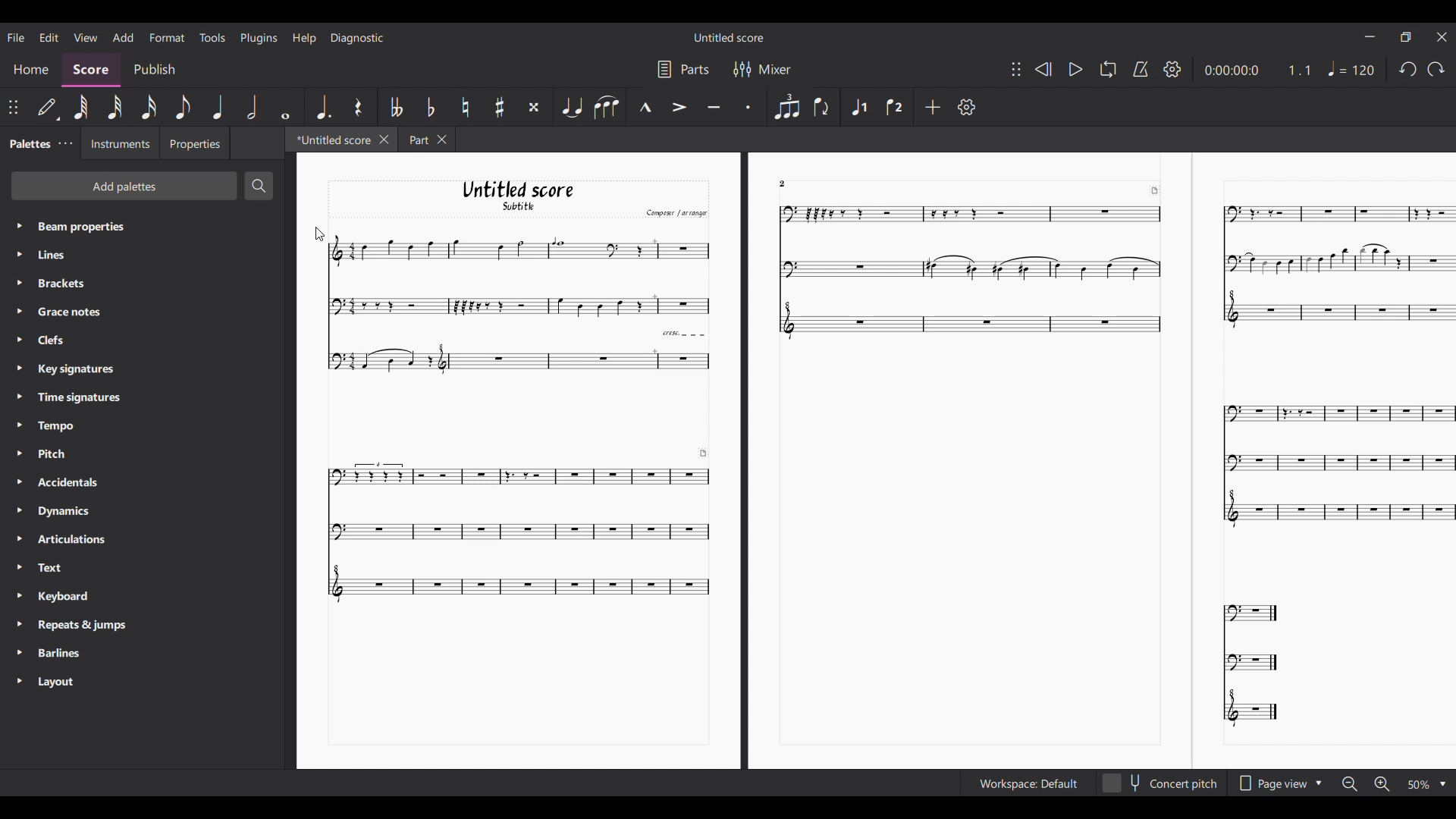 The width and height of the screenshot is (1456, 819). I want to click on Cursor, so click(319, 234).